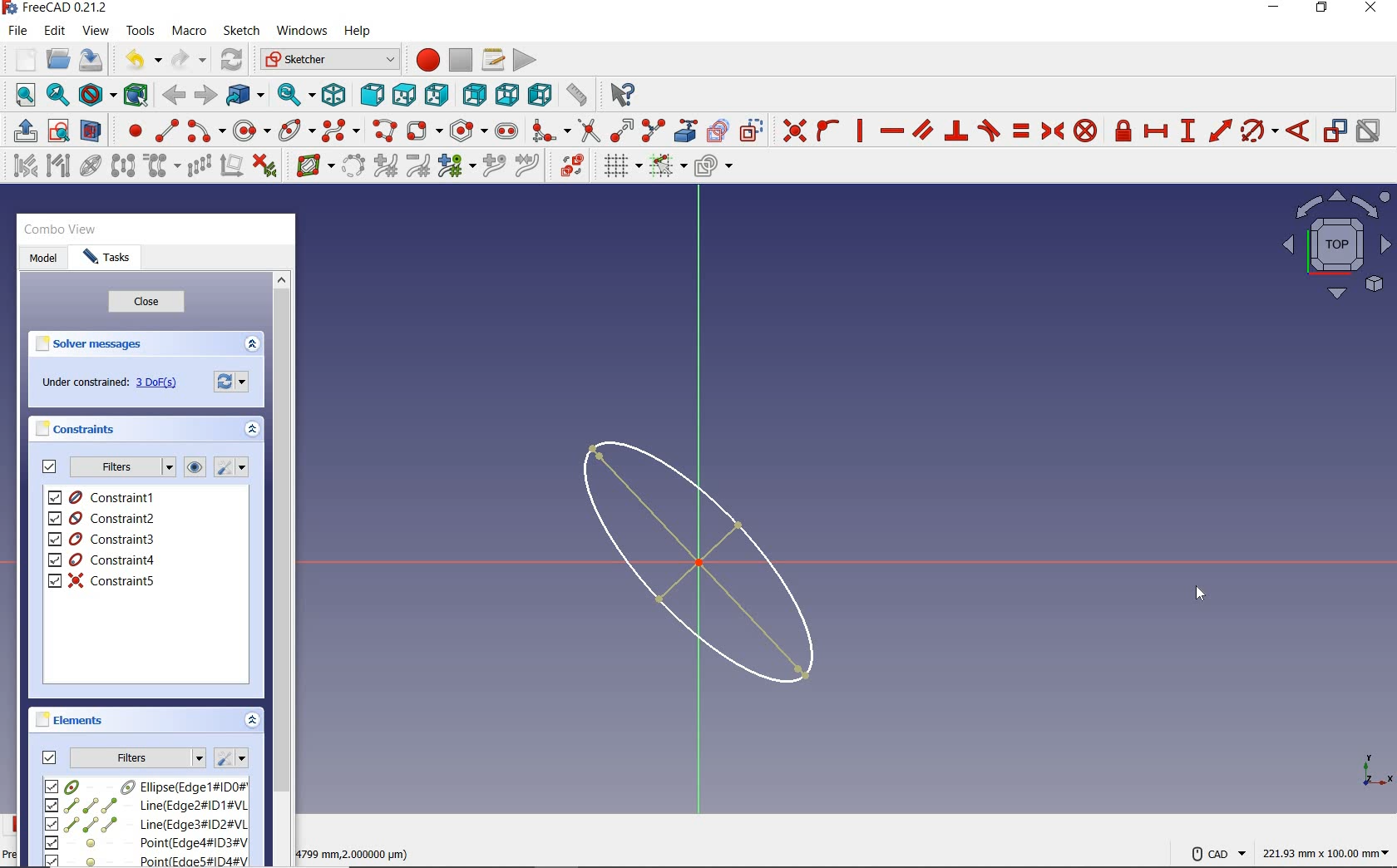 This screenshot has height=868, width=1397. What do you see at coordinates (495, 166) in the screenshot?
I see `insert knot` at bounding box center [495, 166].